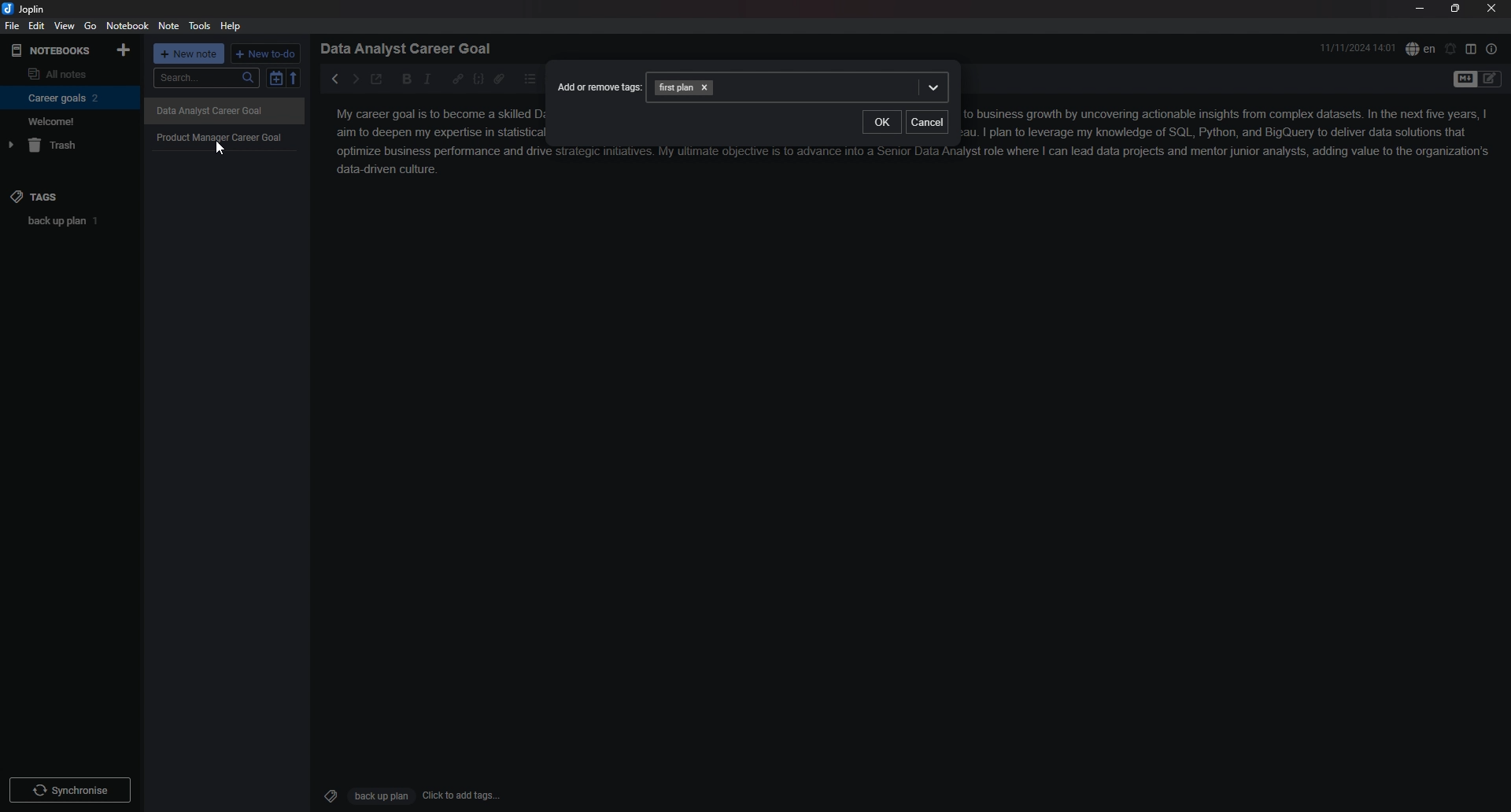  What do you see at coordinates (275, 78) in the screenshot?
I see `toggle sort order` at bounding box center [275, 78].